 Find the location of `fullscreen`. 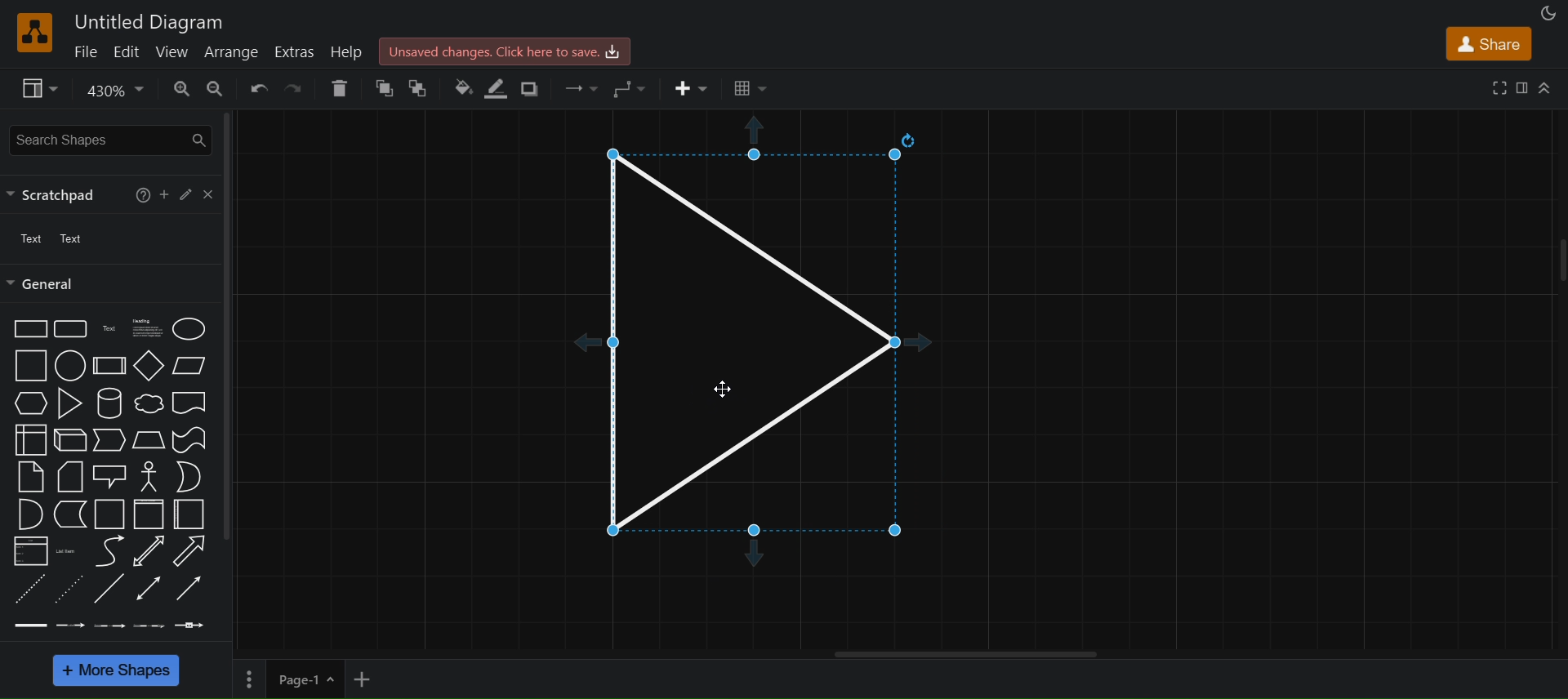

fullscreen is located at coordinates (1496, 86).